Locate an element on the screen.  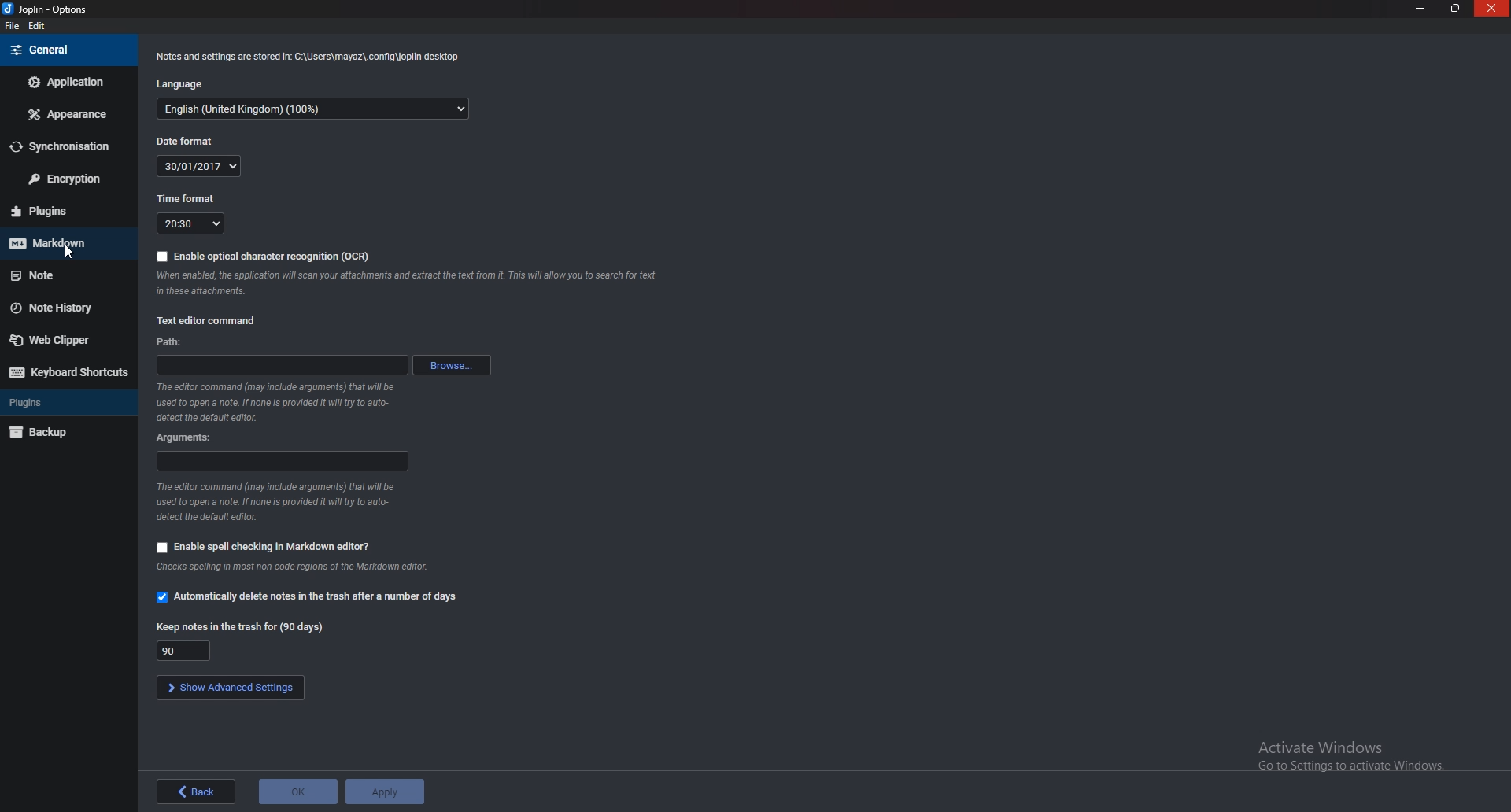
enable ocr is located at coordinates (262, 257).